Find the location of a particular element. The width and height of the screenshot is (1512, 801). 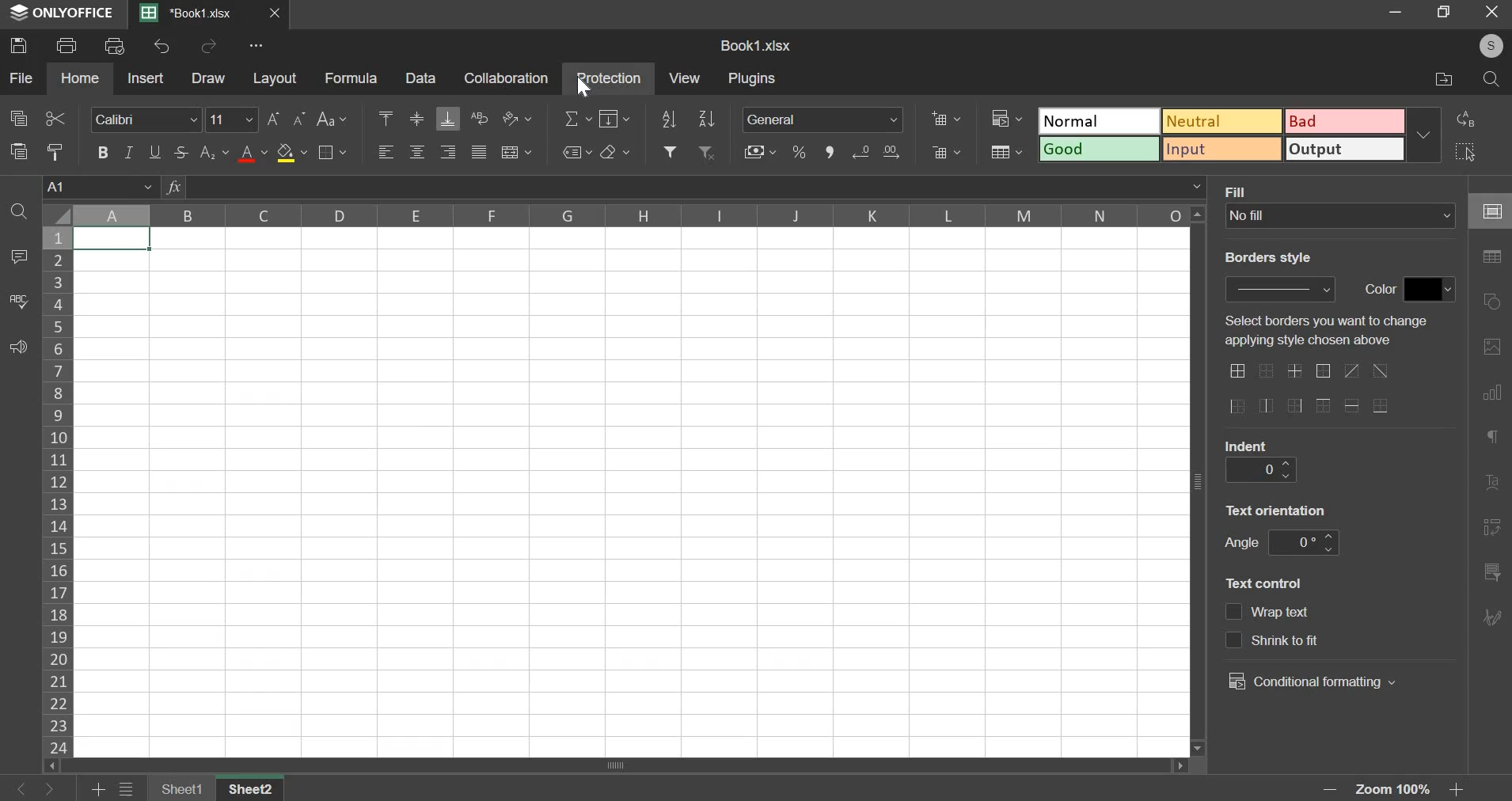

conditional formatting is located at coordinates (1008, 116).